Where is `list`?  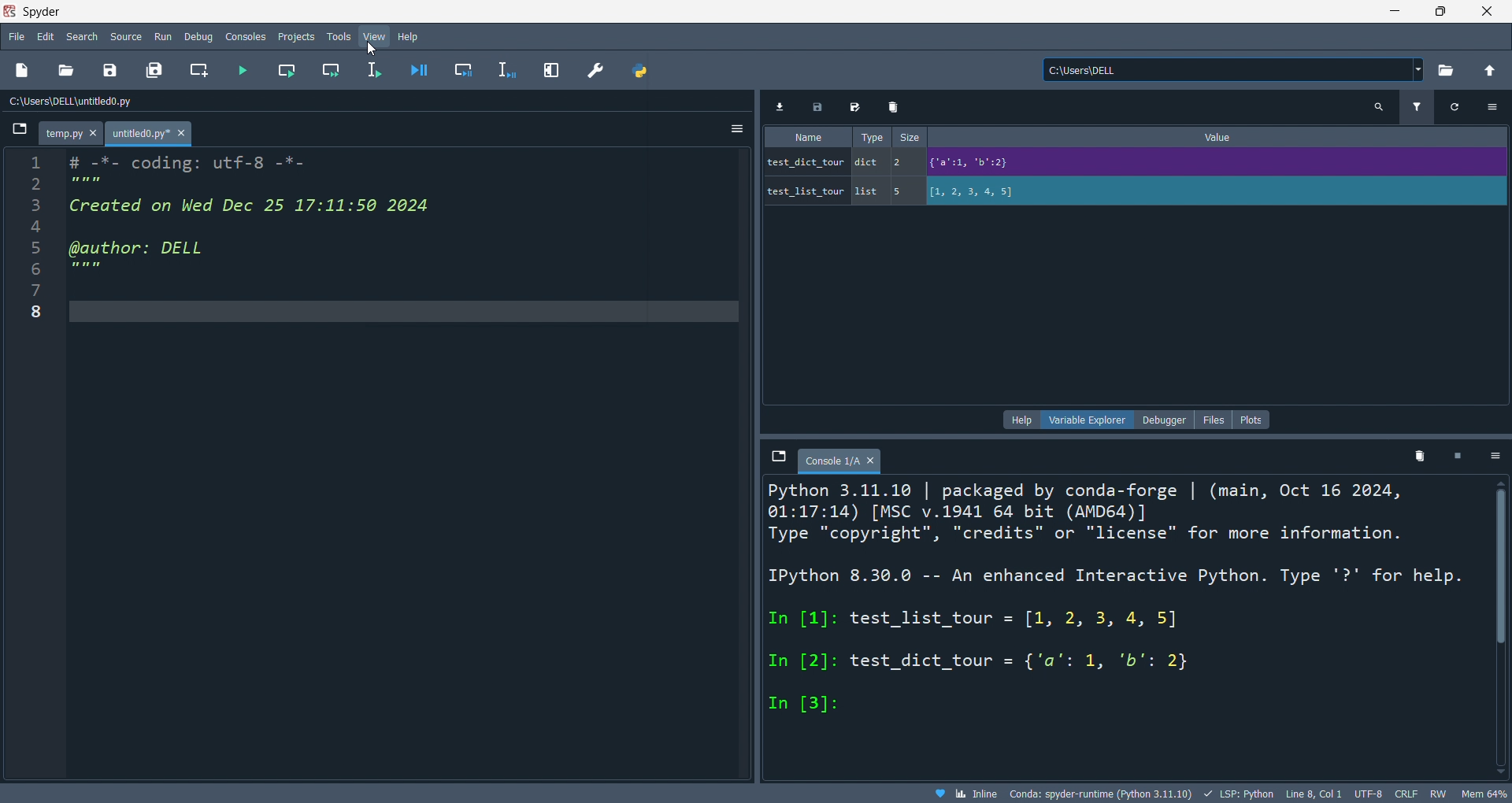 list is located at coordinates (869, 192).